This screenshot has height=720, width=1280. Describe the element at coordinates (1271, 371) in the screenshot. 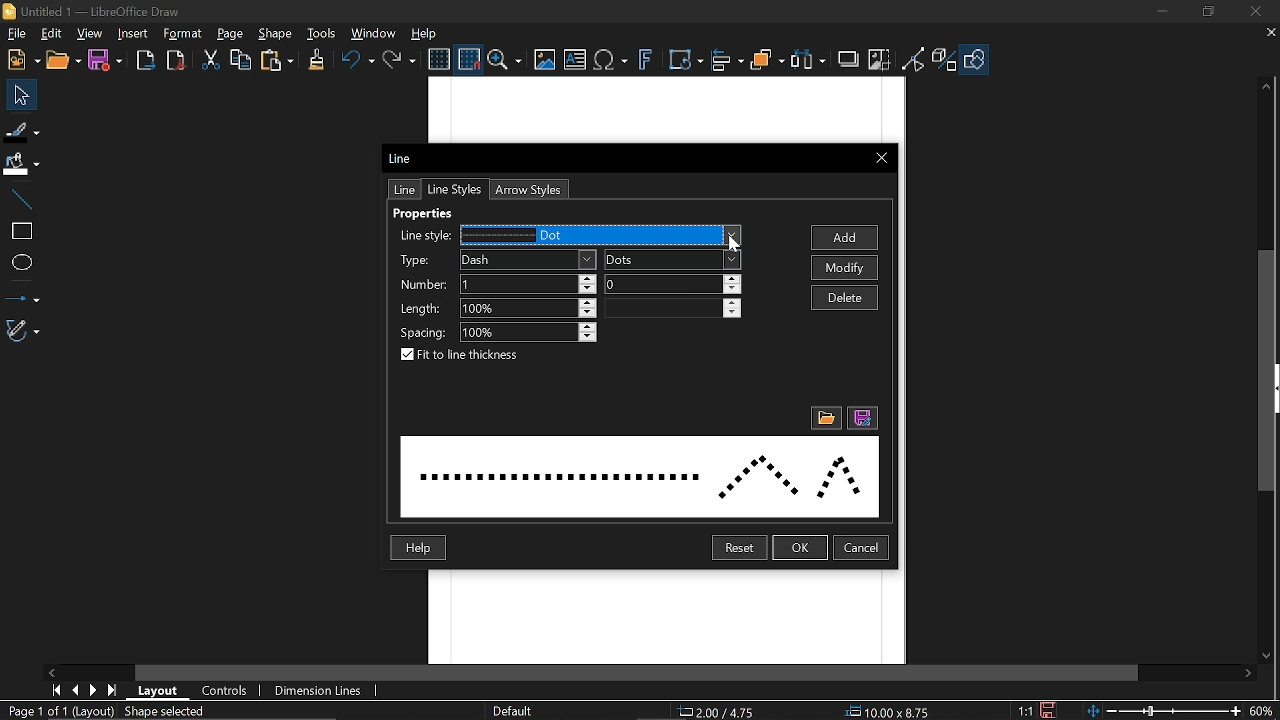

I see `Vertical scrollbar` at that location.